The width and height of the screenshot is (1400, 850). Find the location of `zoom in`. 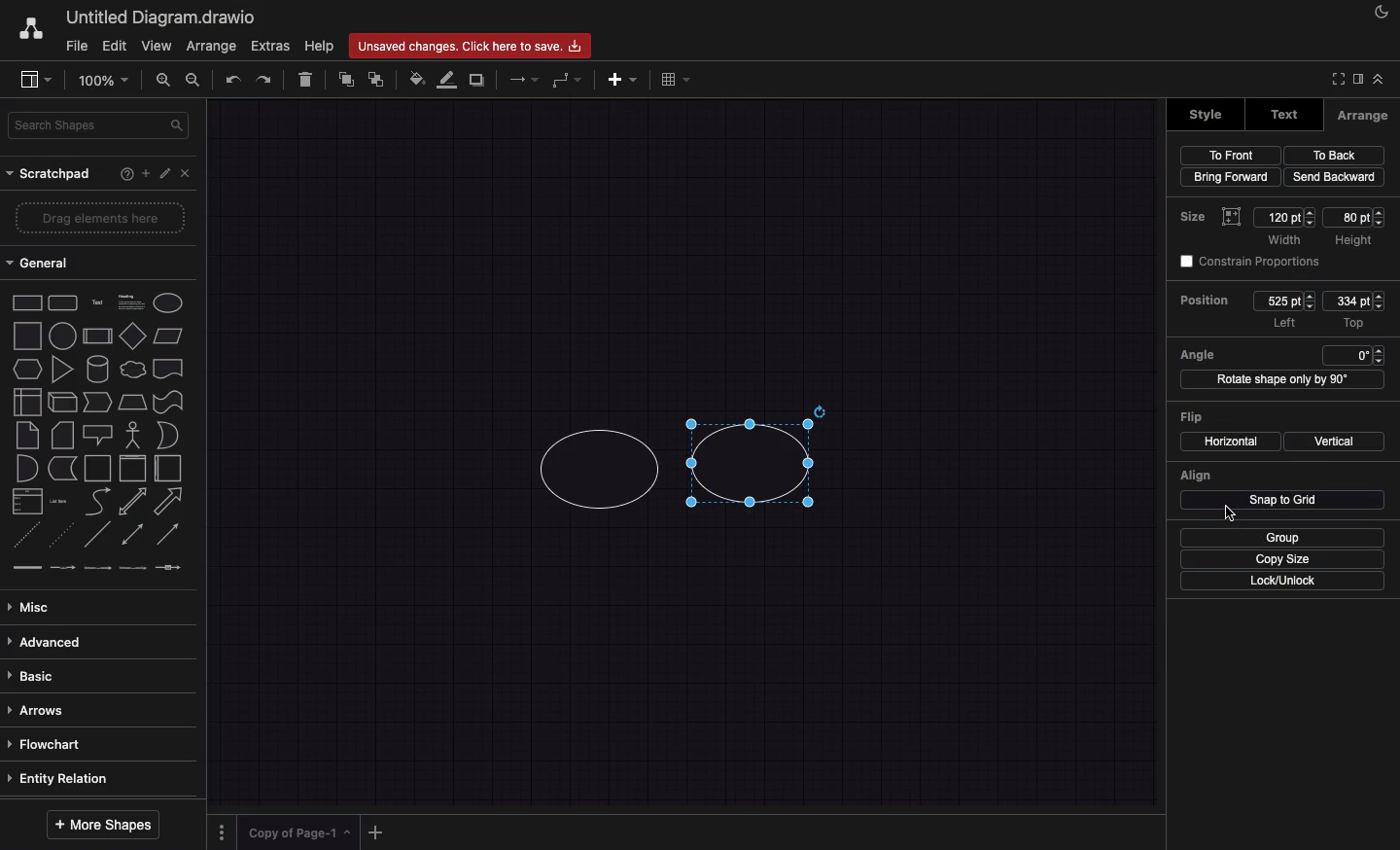

zoom in is located at coordinates (159, 80).